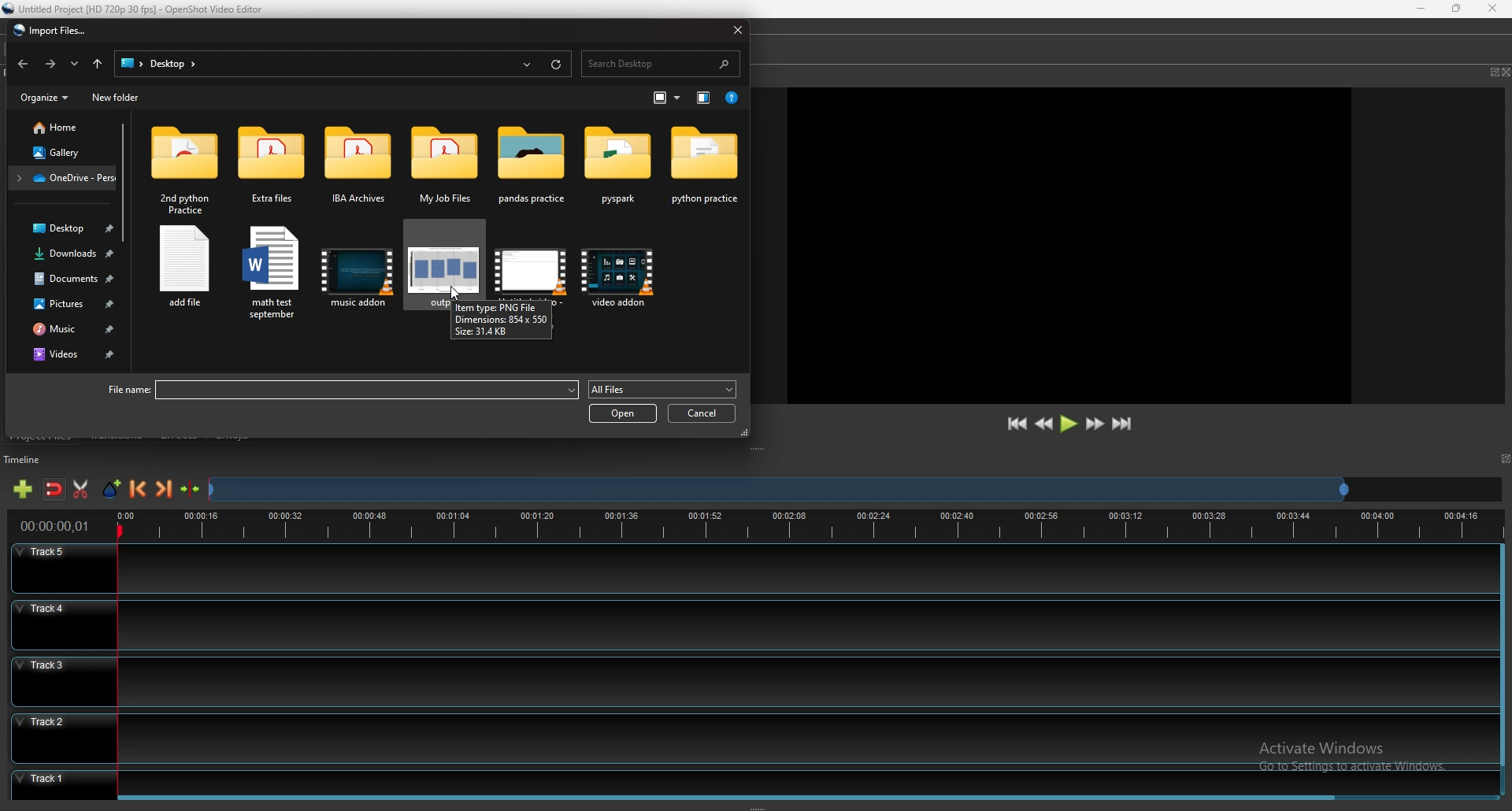 Image resolution: width=1512 pixels, height=811 pixels. Describe the element at coordinates (750, 737) in the screenshot. I see `track 2` at that location.